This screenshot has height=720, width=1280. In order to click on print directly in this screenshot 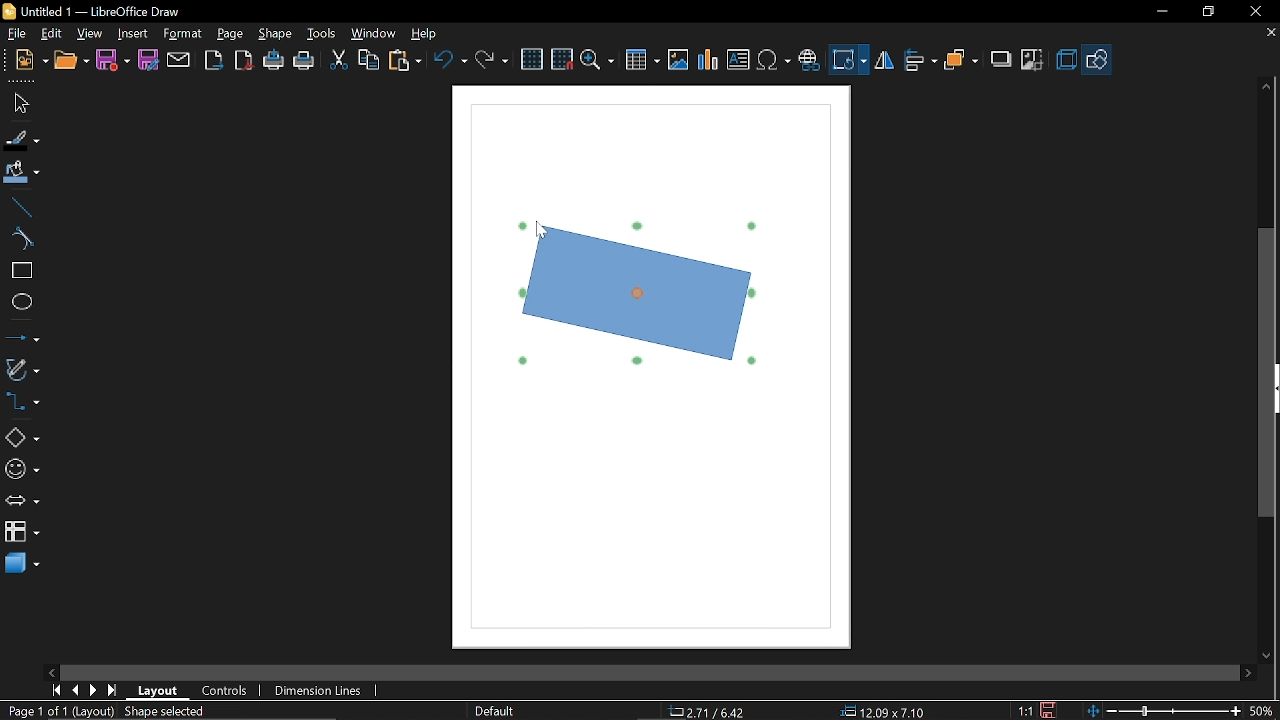, I will do `click(273, 62)`.